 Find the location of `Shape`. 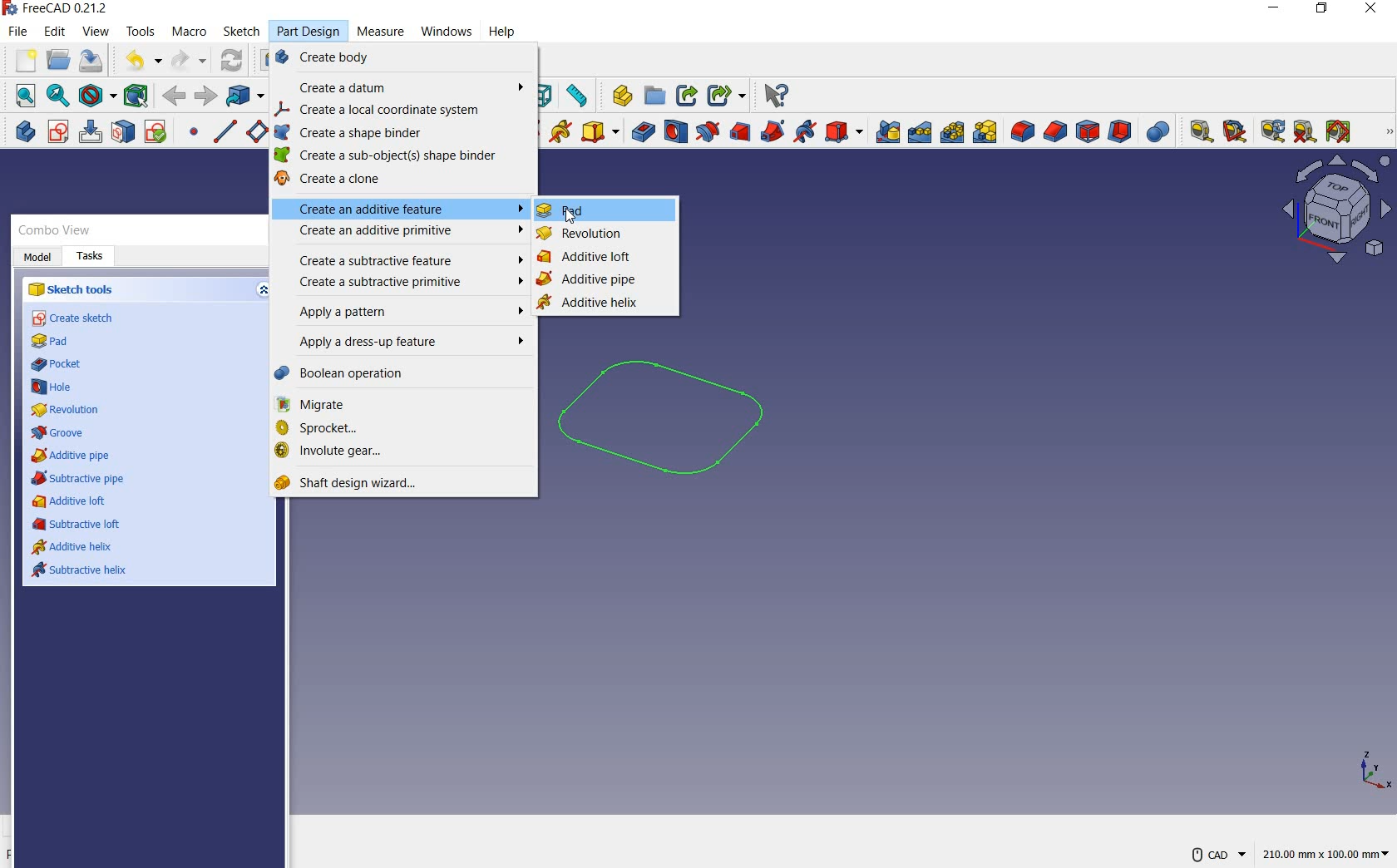

Shape is located at coordinates (548, 95).